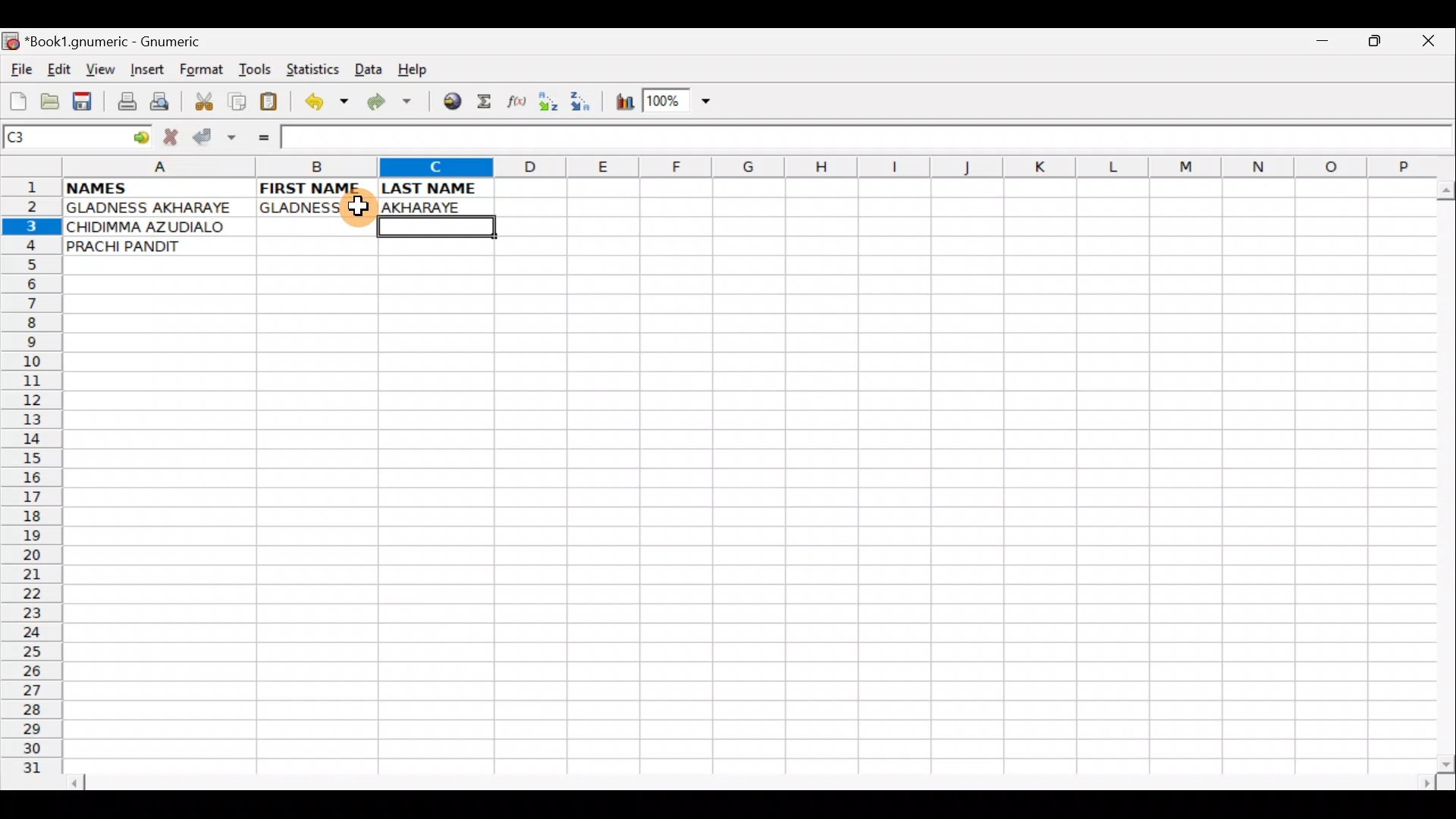  Describe the element at coordinates (146, 70) in the screenshot. I see `Insert` at that location.